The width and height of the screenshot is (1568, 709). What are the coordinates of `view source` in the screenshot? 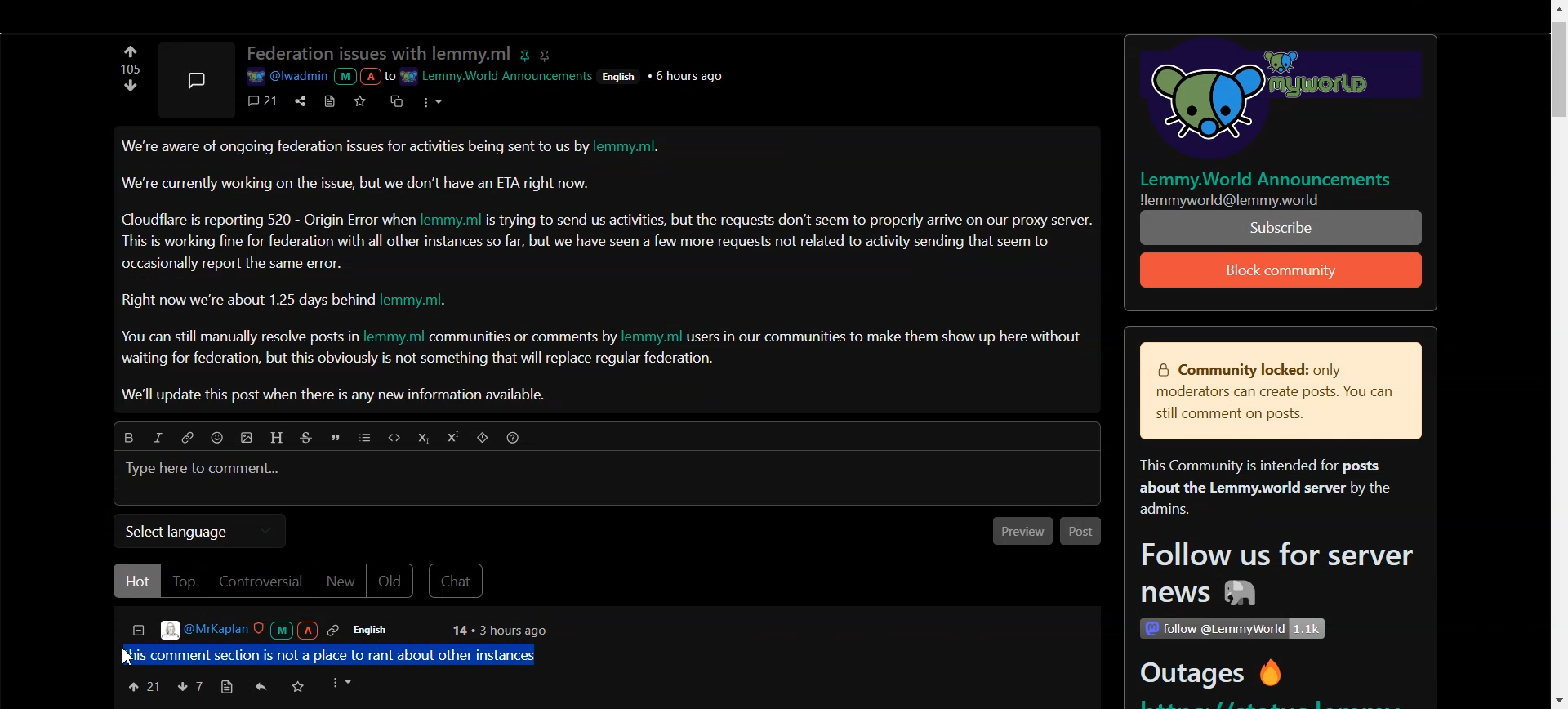 It's located at (226, 687).